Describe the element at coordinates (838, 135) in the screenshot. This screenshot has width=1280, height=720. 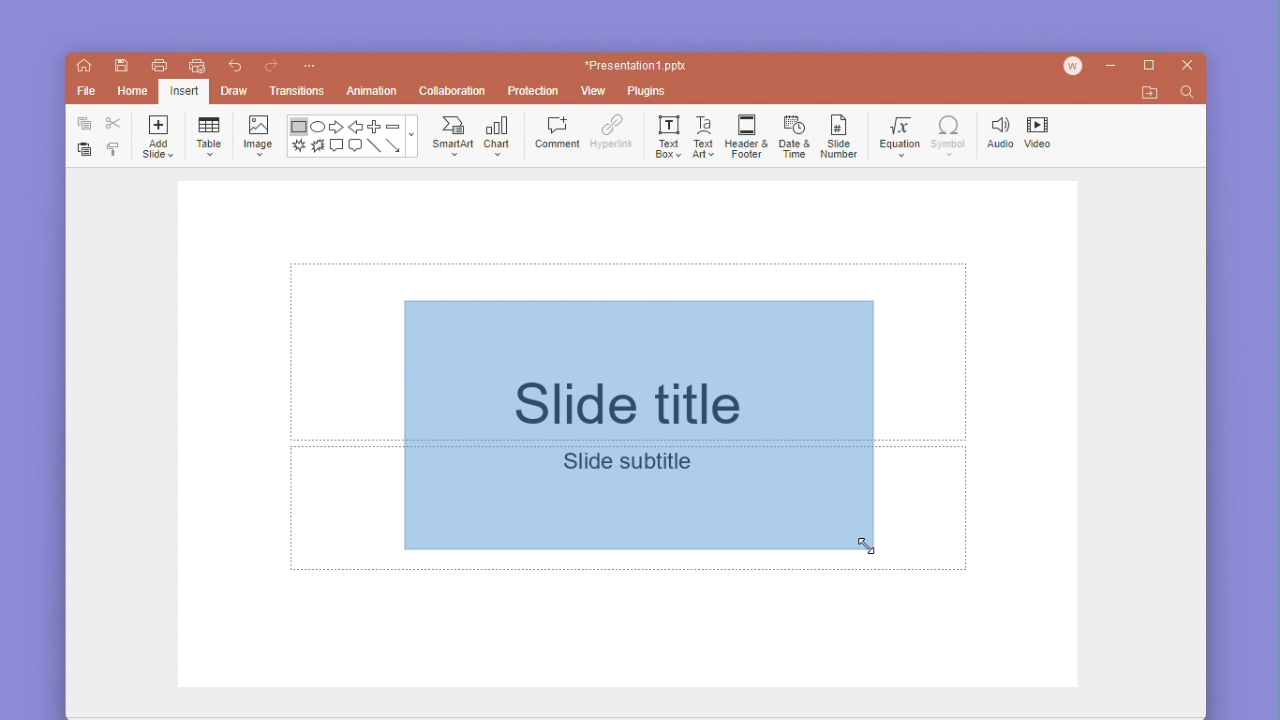
I see `slide number` at that location.